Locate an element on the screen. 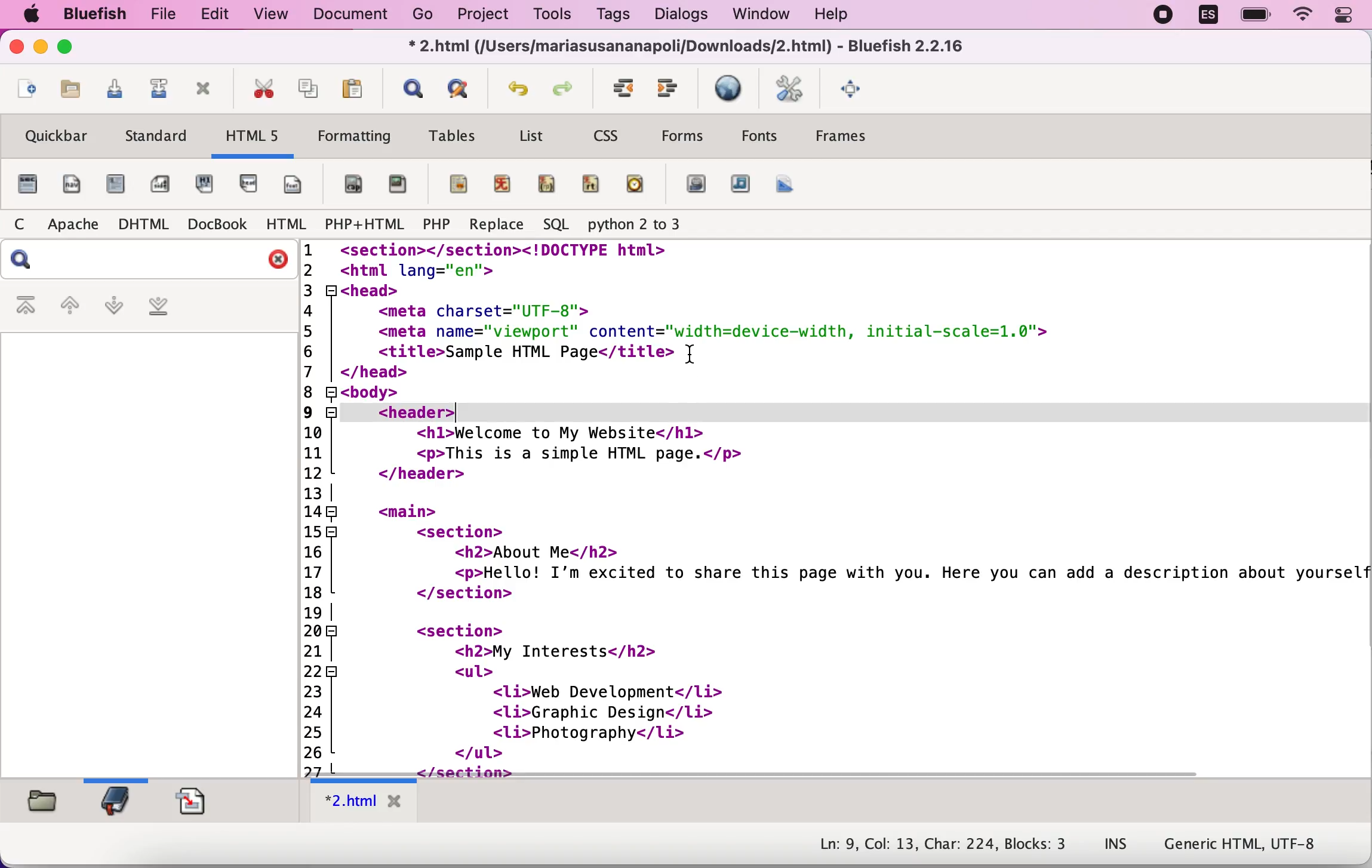 This screenshot has height=868, width=1372. footer is located at coordinates (299, 183).